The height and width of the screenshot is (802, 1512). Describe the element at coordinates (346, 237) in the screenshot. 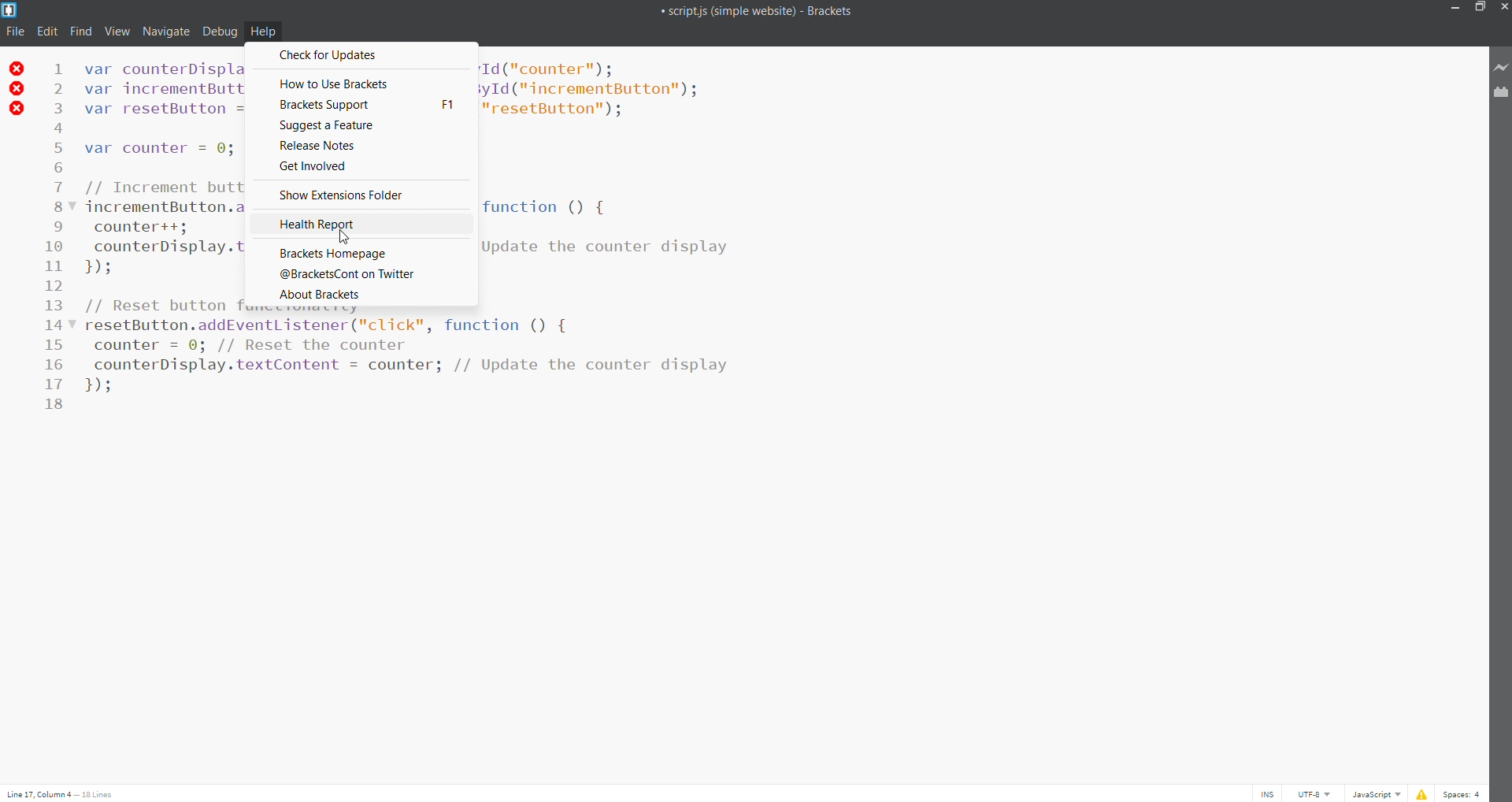

I see `cursor` at that location.